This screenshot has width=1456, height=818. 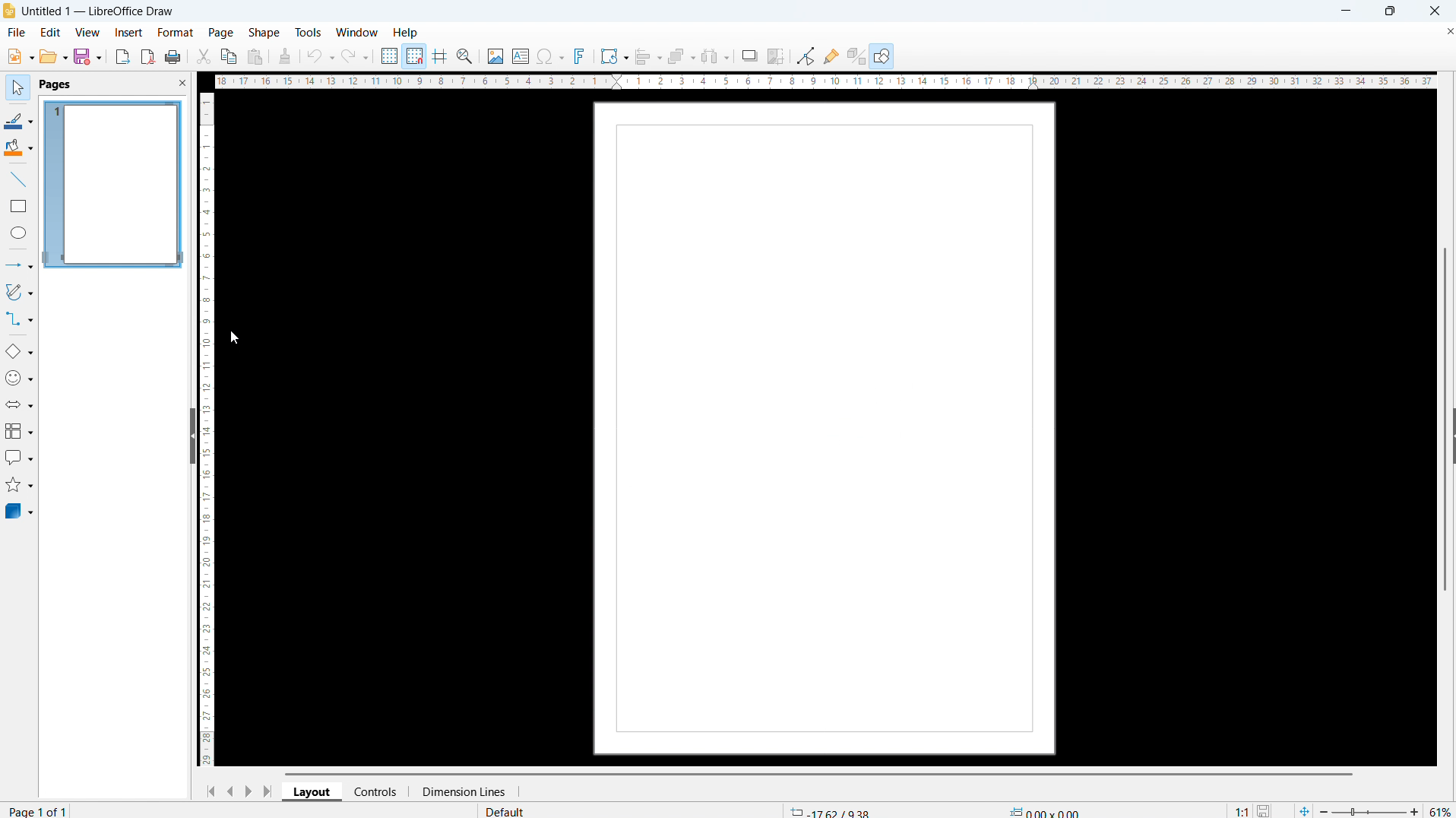 I want to click on close pane, so click(x=182, y=82).